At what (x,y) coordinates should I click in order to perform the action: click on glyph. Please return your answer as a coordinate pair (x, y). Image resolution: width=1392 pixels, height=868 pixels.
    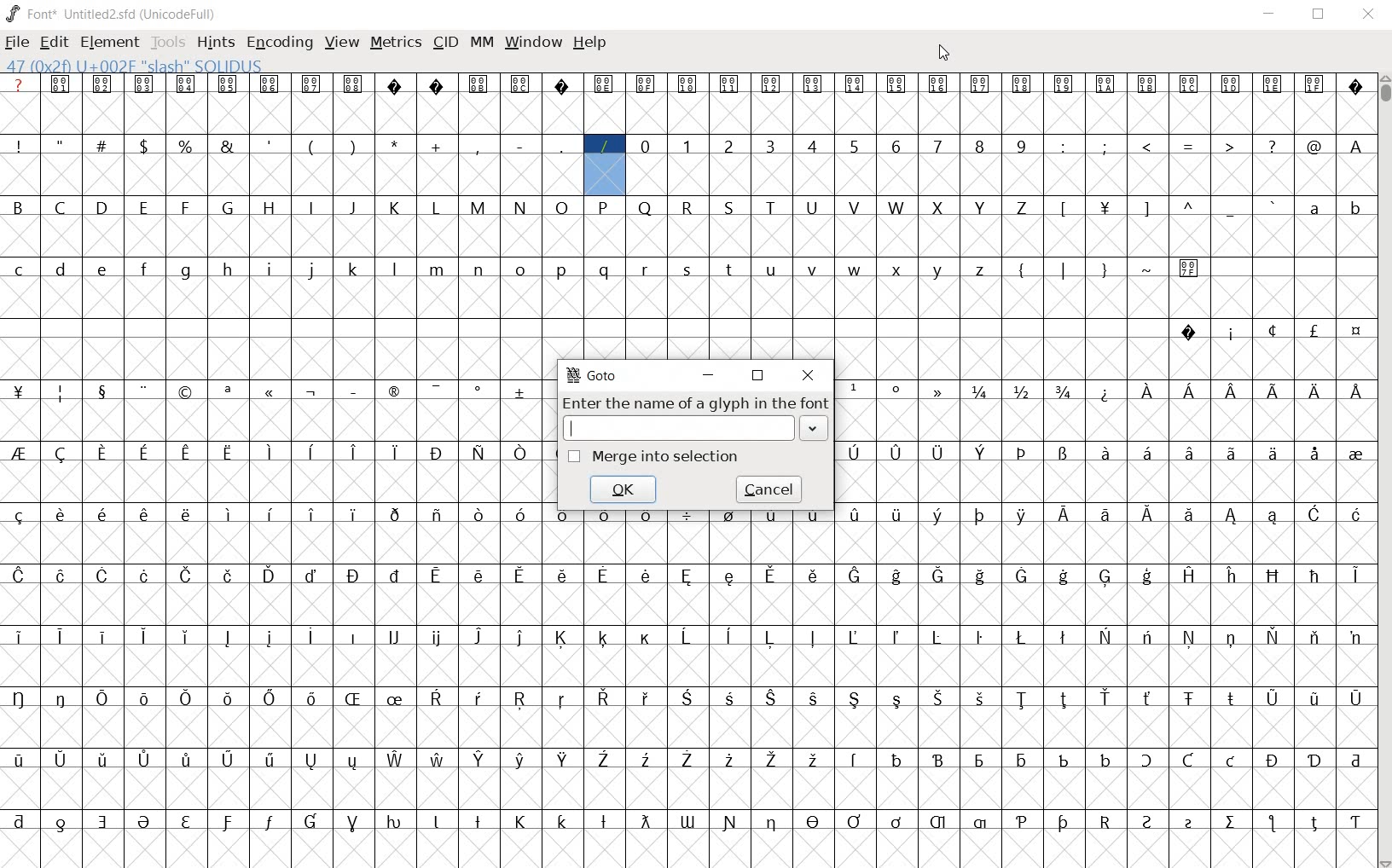
    Looking at the image, I should click on (394, 576).